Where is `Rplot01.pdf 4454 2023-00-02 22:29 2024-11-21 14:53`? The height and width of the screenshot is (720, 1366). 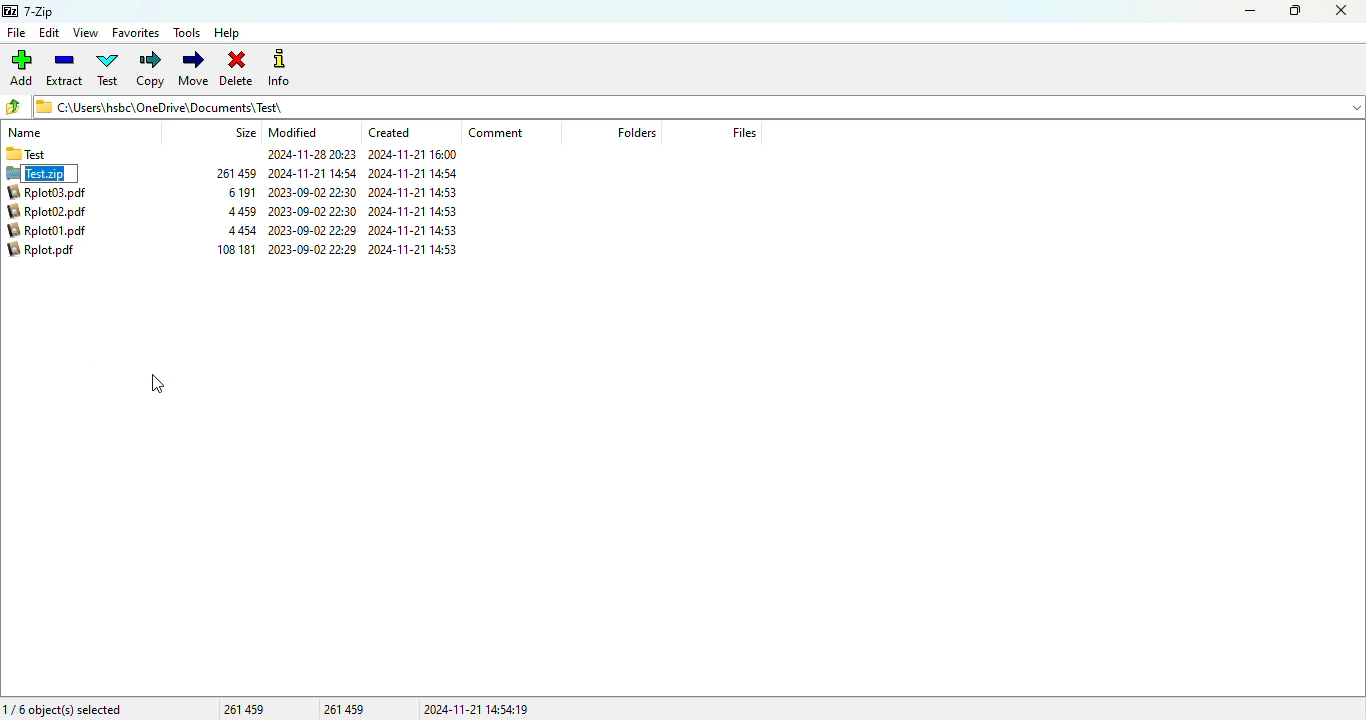 Rplot01.pdf 4454 2023-00-02 22:29 2024-11-21 14:53 is located at coordinates (53, 229).